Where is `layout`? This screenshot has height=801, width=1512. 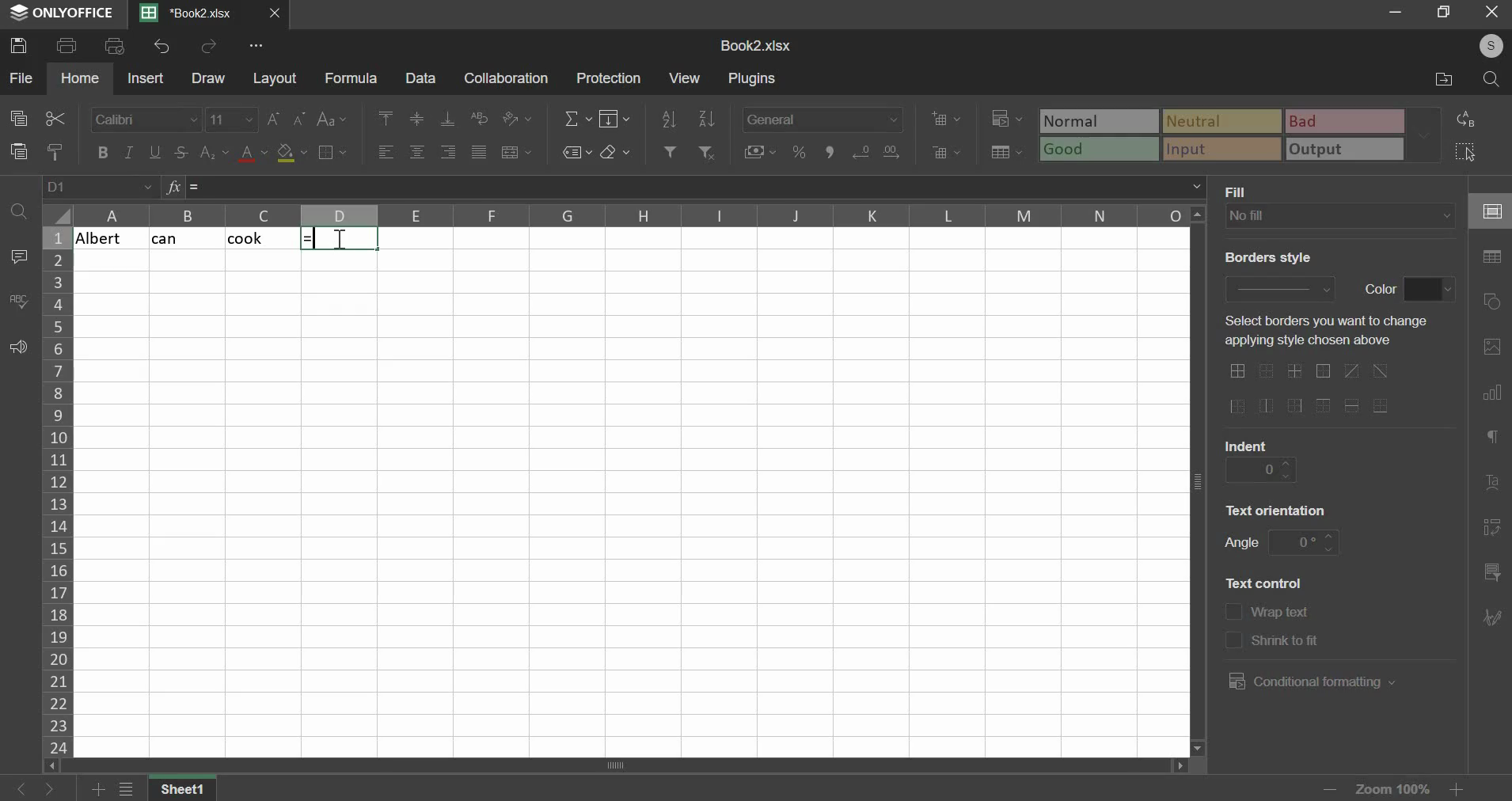 layout is located at coordinates (275, 79).